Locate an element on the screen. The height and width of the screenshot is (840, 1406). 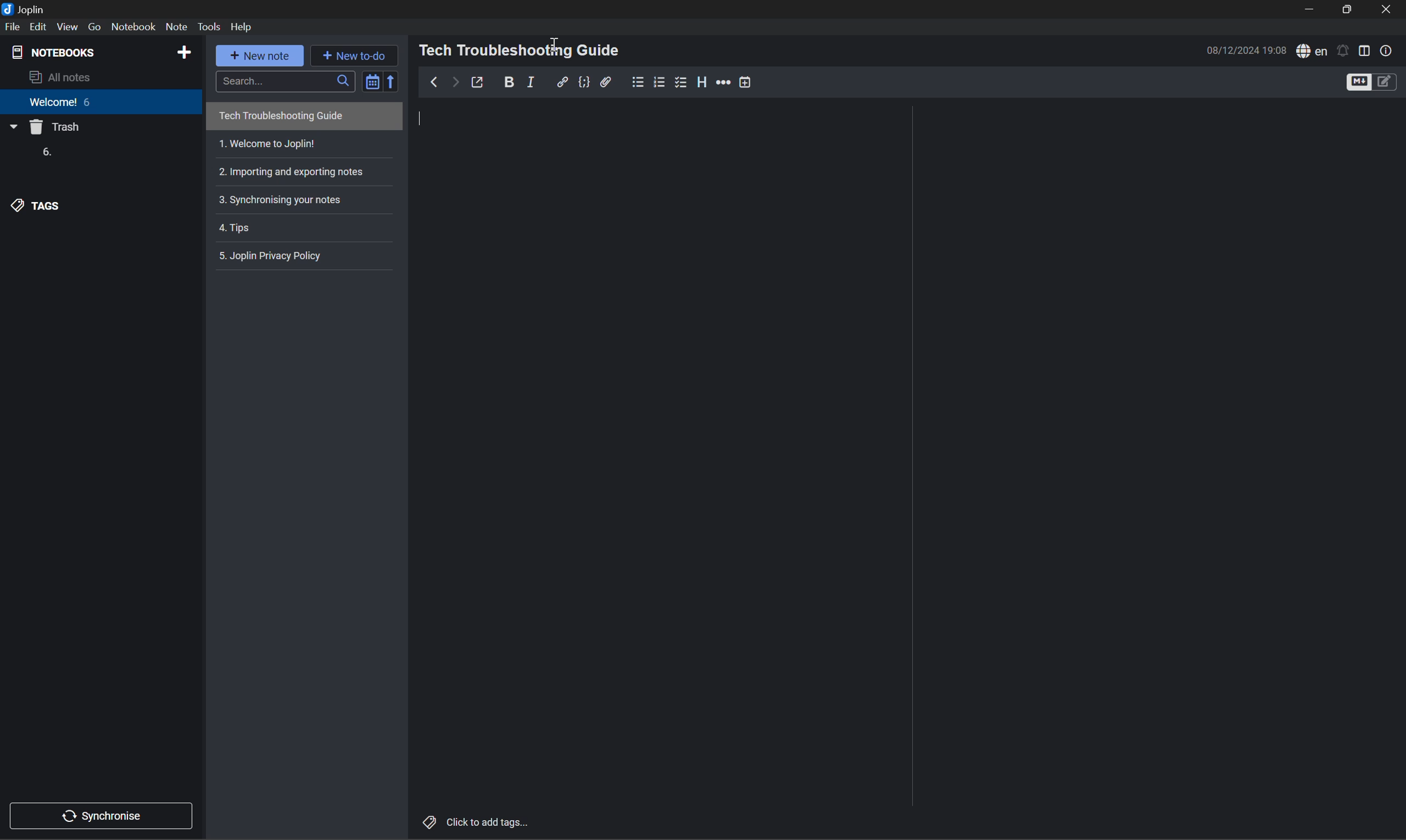
Minimize is located at coordinates (1314, 10).